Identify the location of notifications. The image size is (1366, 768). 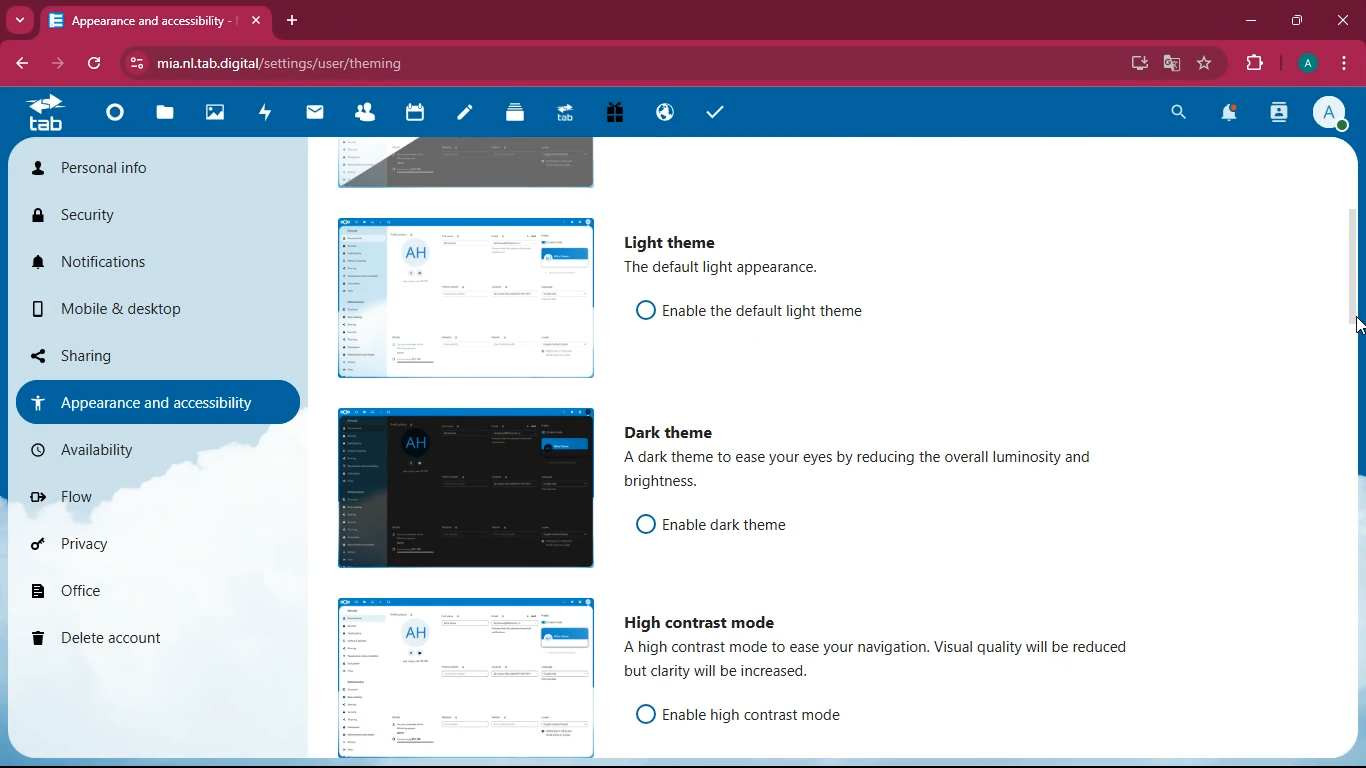
(112, 262).